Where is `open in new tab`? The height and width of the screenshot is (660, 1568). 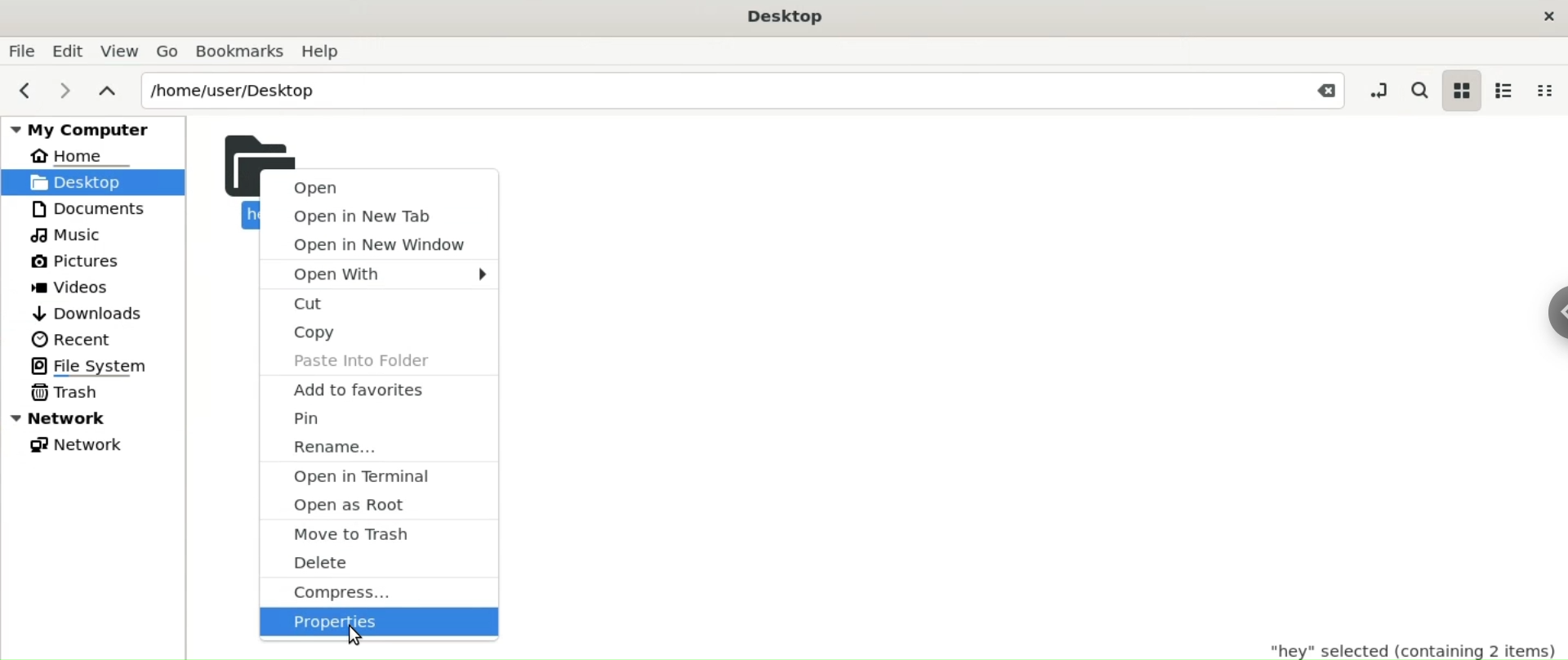
open in new tab is located at coordinates (380, 245).